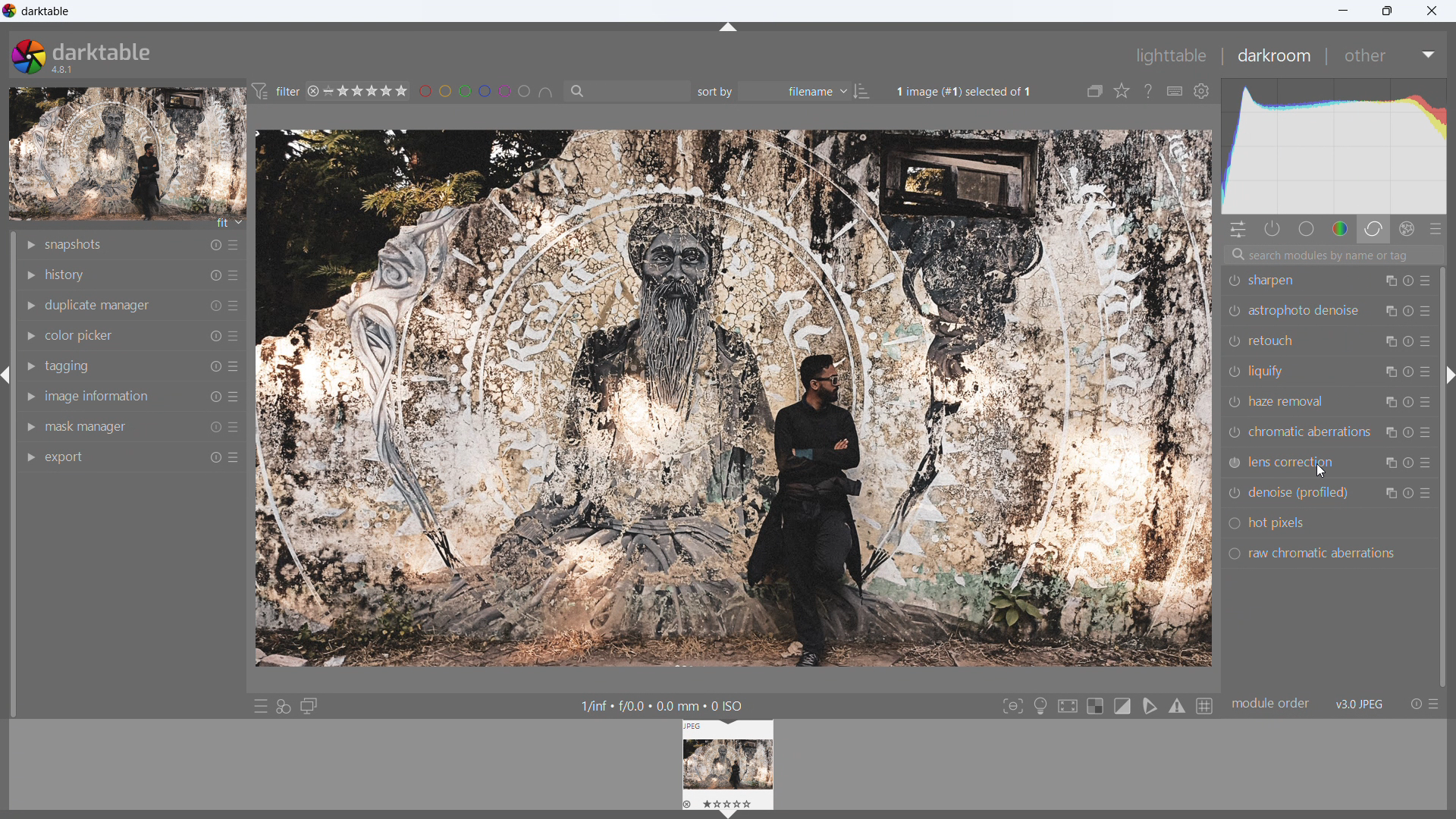 The width and height of the screenshot is (1456, 819). What do you see at coordinates (1172, 55) in the screenshot?
I see `lighttable` at bounding box center [1172, 55].